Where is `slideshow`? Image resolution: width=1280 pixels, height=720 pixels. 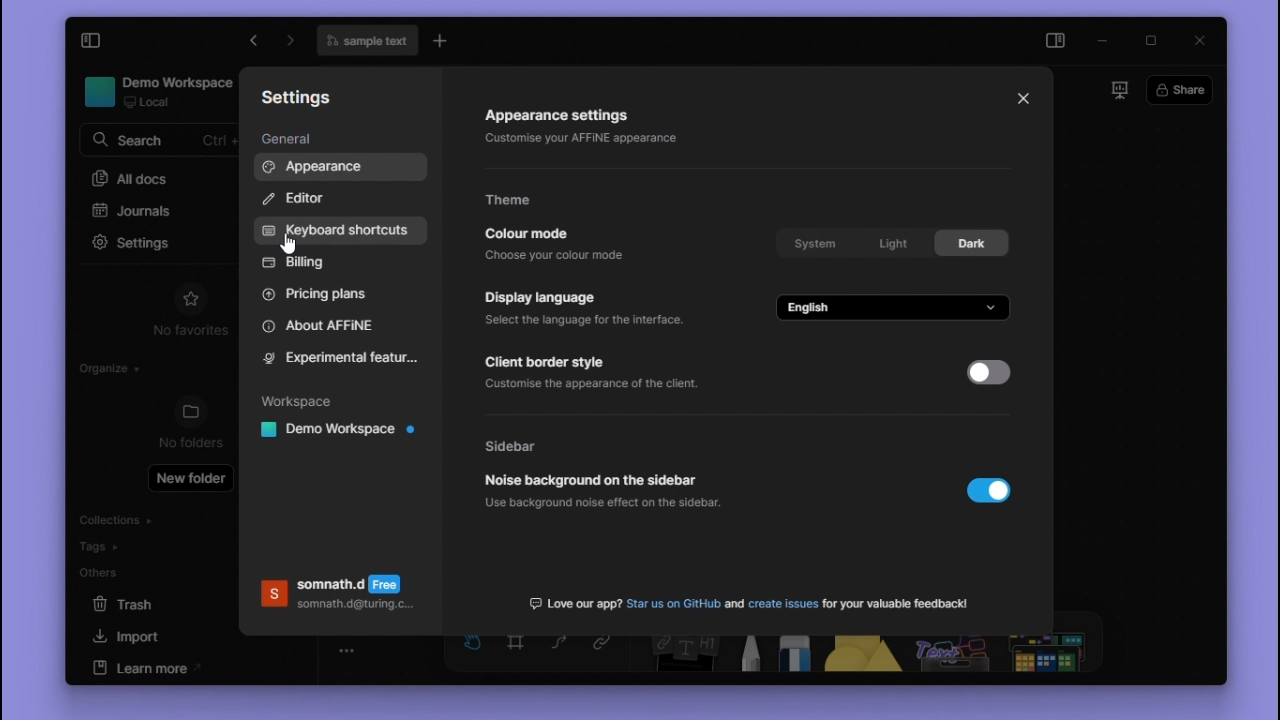 slideshow is located at coordinates (1118, 90).